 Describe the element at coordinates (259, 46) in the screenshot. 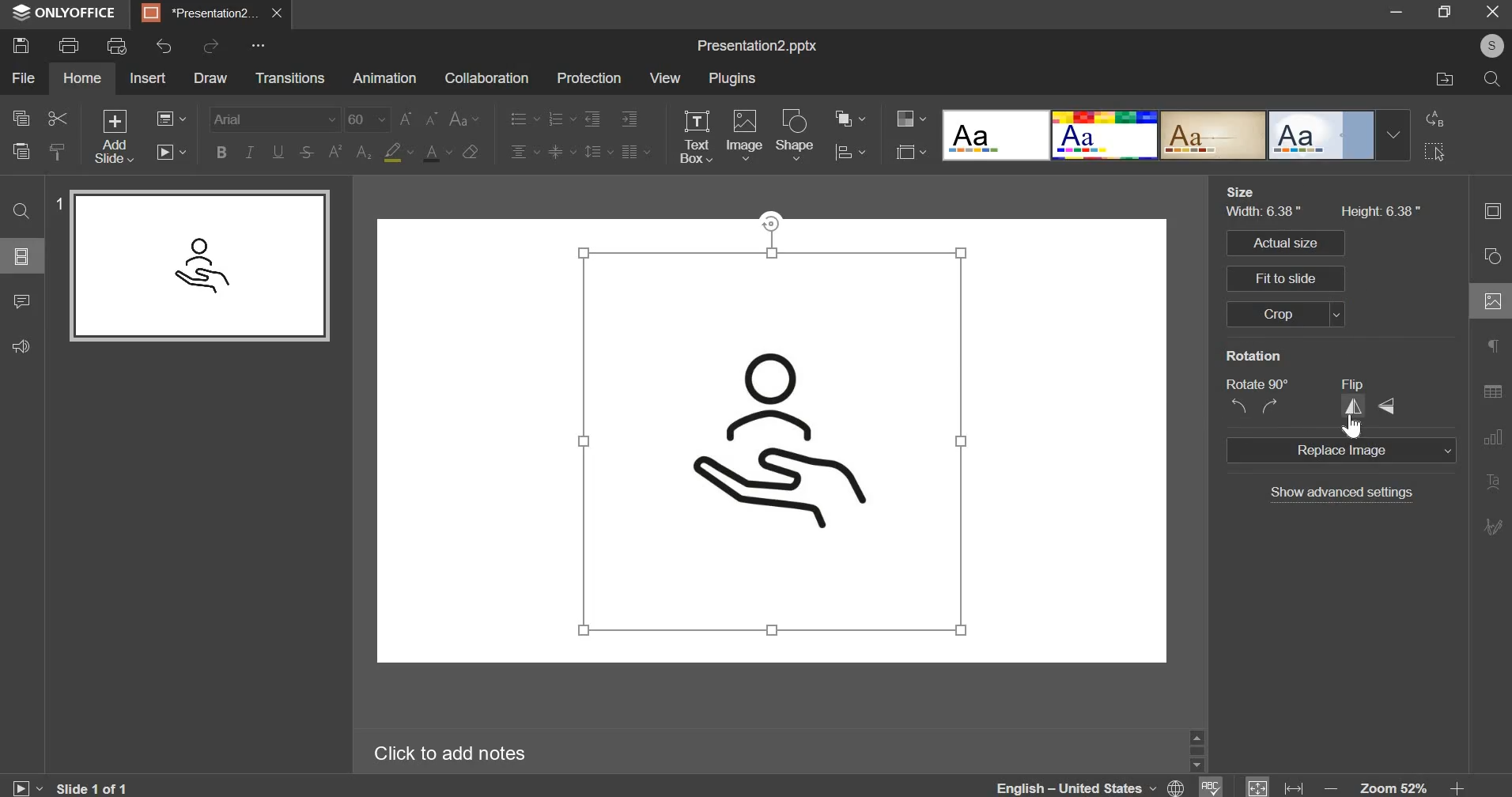

I see `customize quick access menu` at that location.